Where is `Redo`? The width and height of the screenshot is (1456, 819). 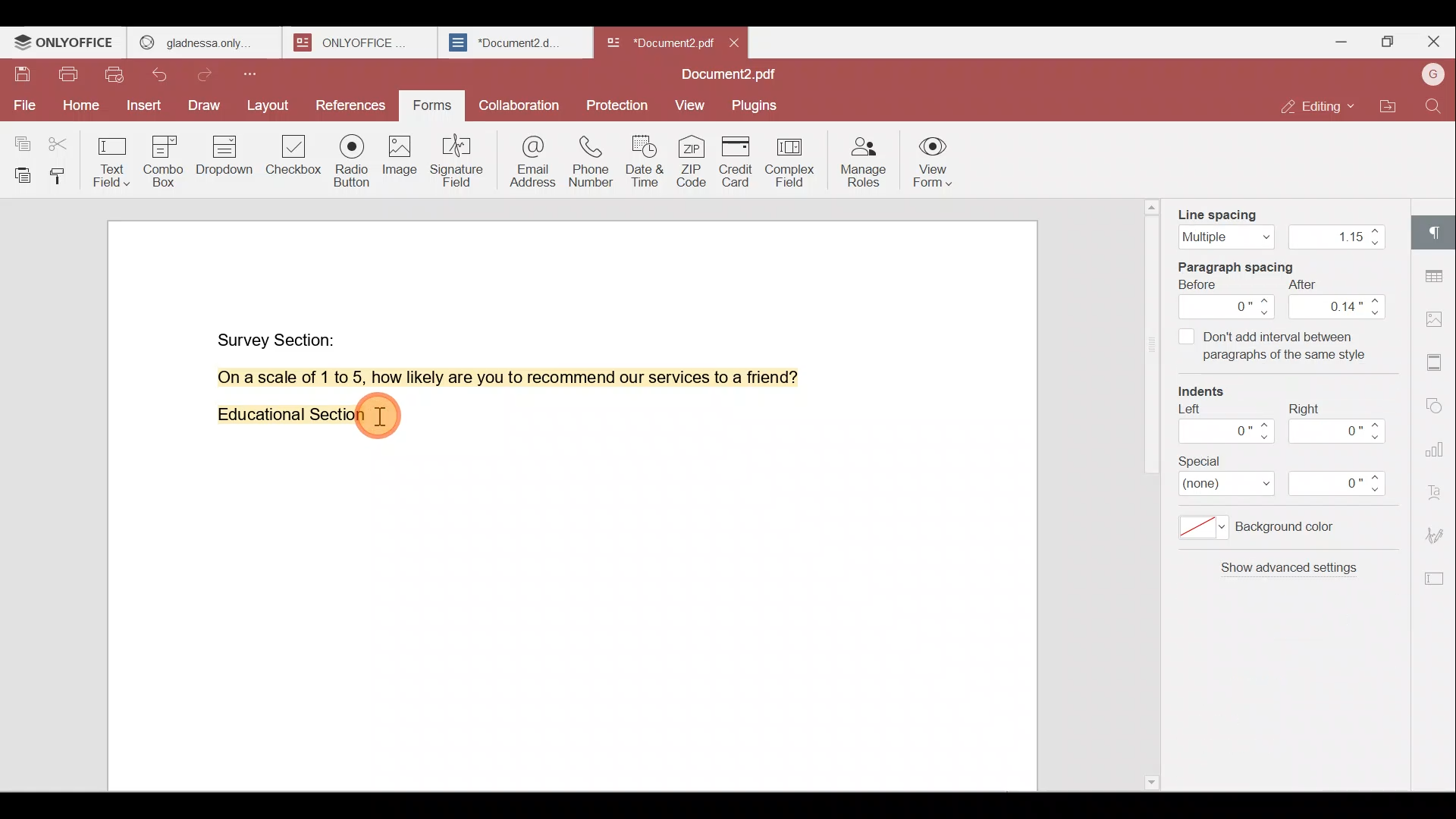
Redo is located at coordinates (209, 75).